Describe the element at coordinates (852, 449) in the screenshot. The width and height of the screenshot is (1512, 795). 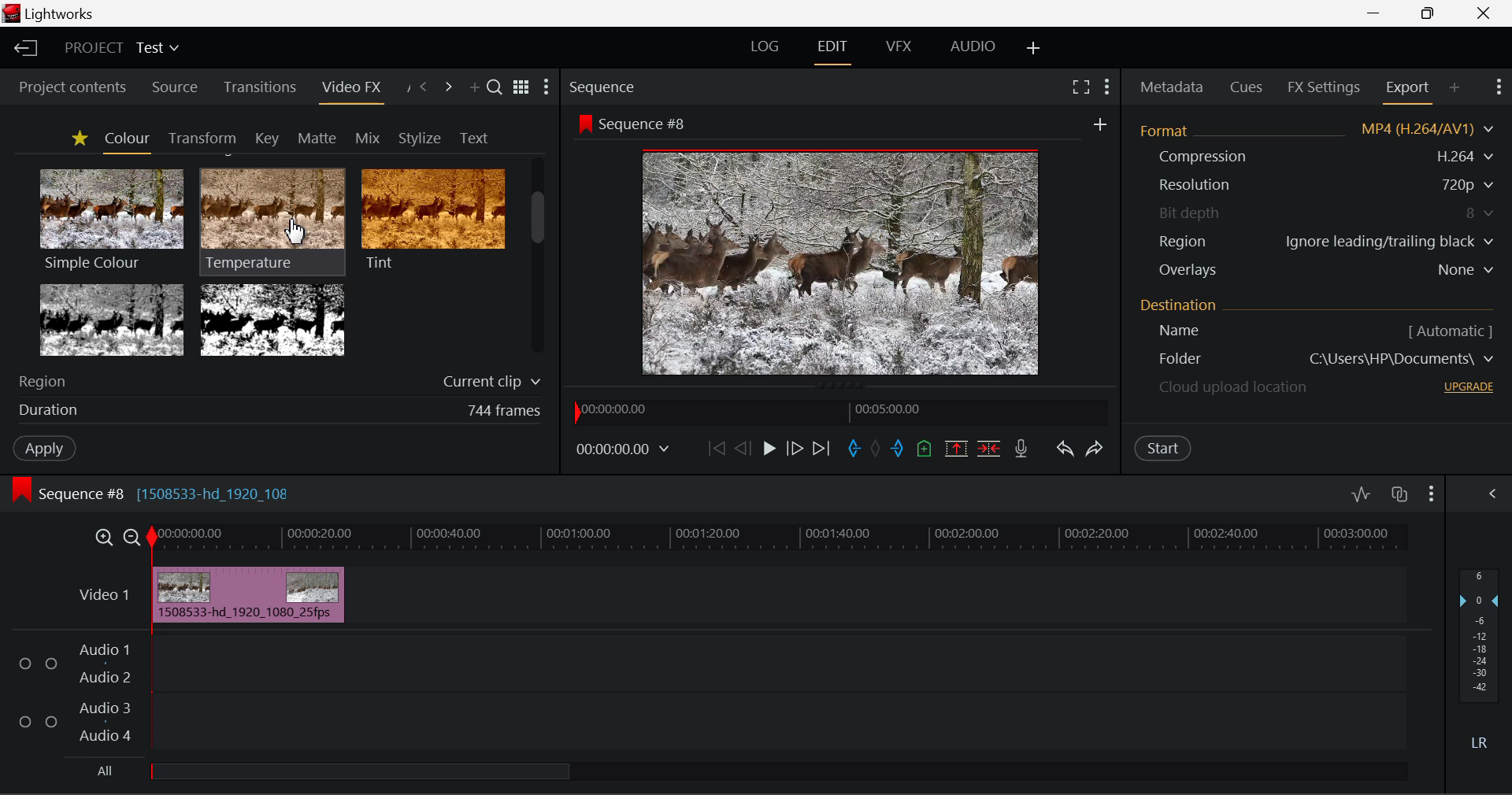
I see `Mark In` at that location.